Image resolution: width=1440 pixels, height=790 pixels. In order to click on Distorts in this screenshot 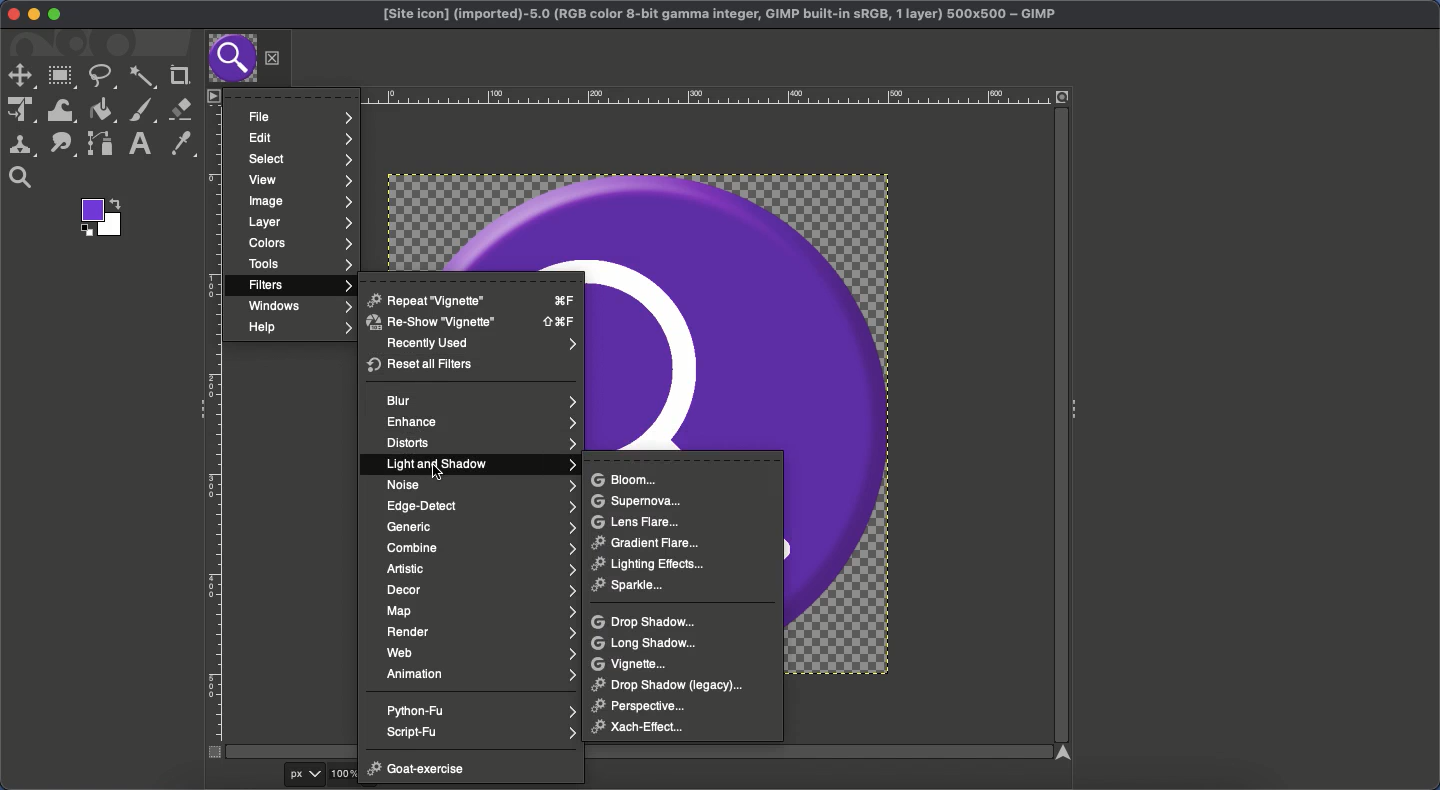, I will do `click(479, 444)`.